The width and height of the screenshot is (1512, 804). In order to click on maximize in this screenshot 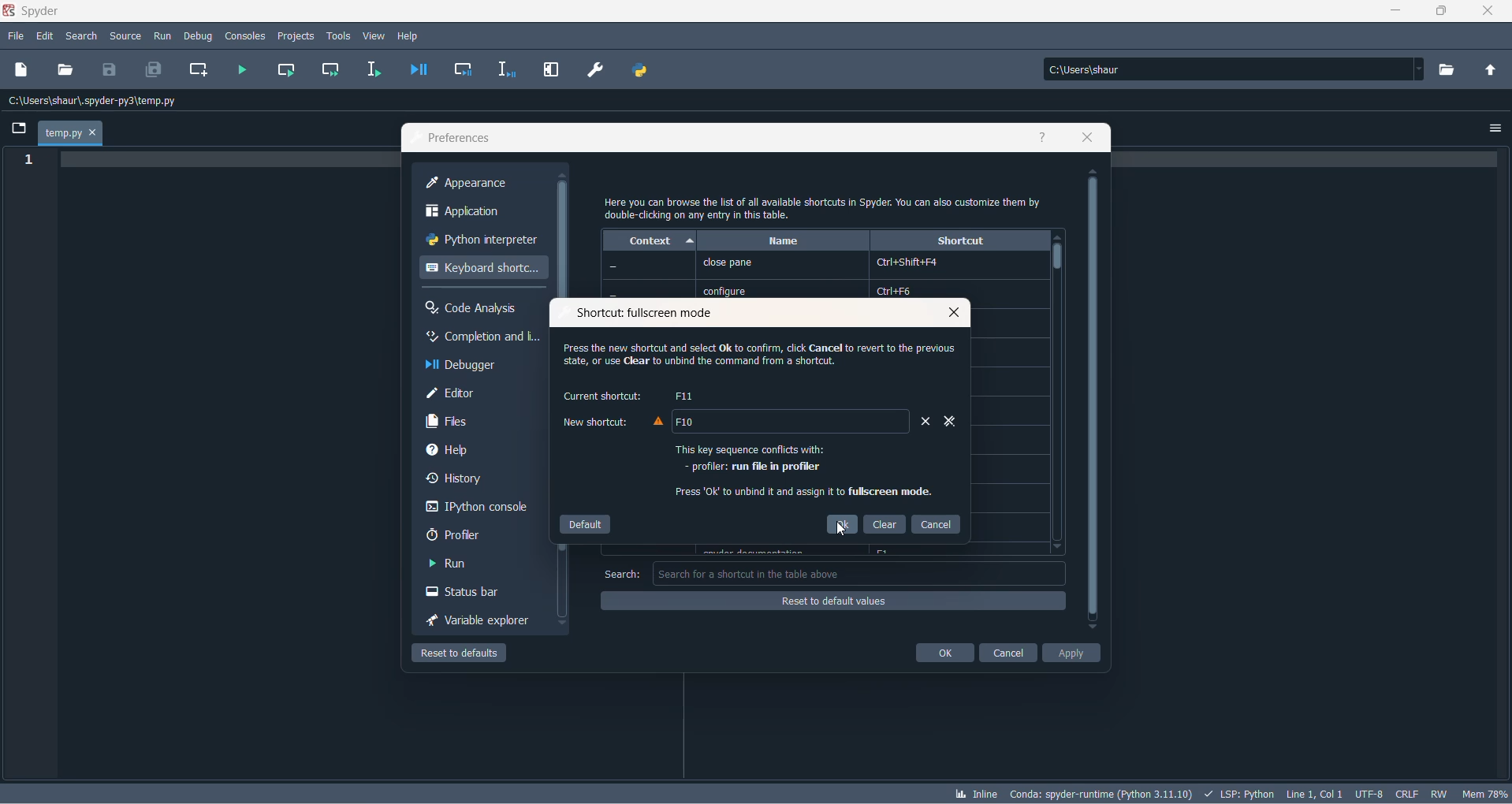, I will do `click(1443, 12)`.